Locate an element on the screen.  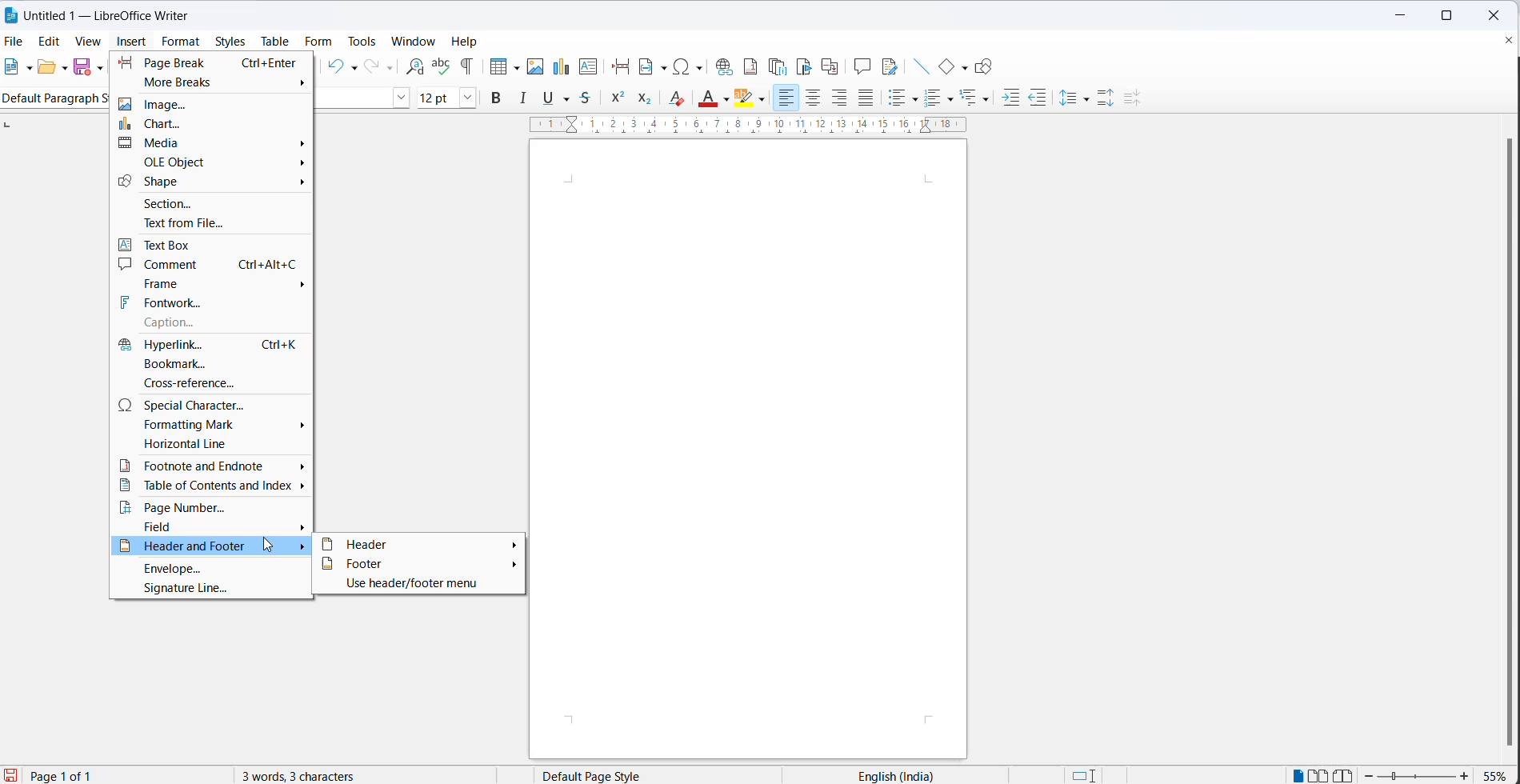
font name options is located at coordinates (399, 98).